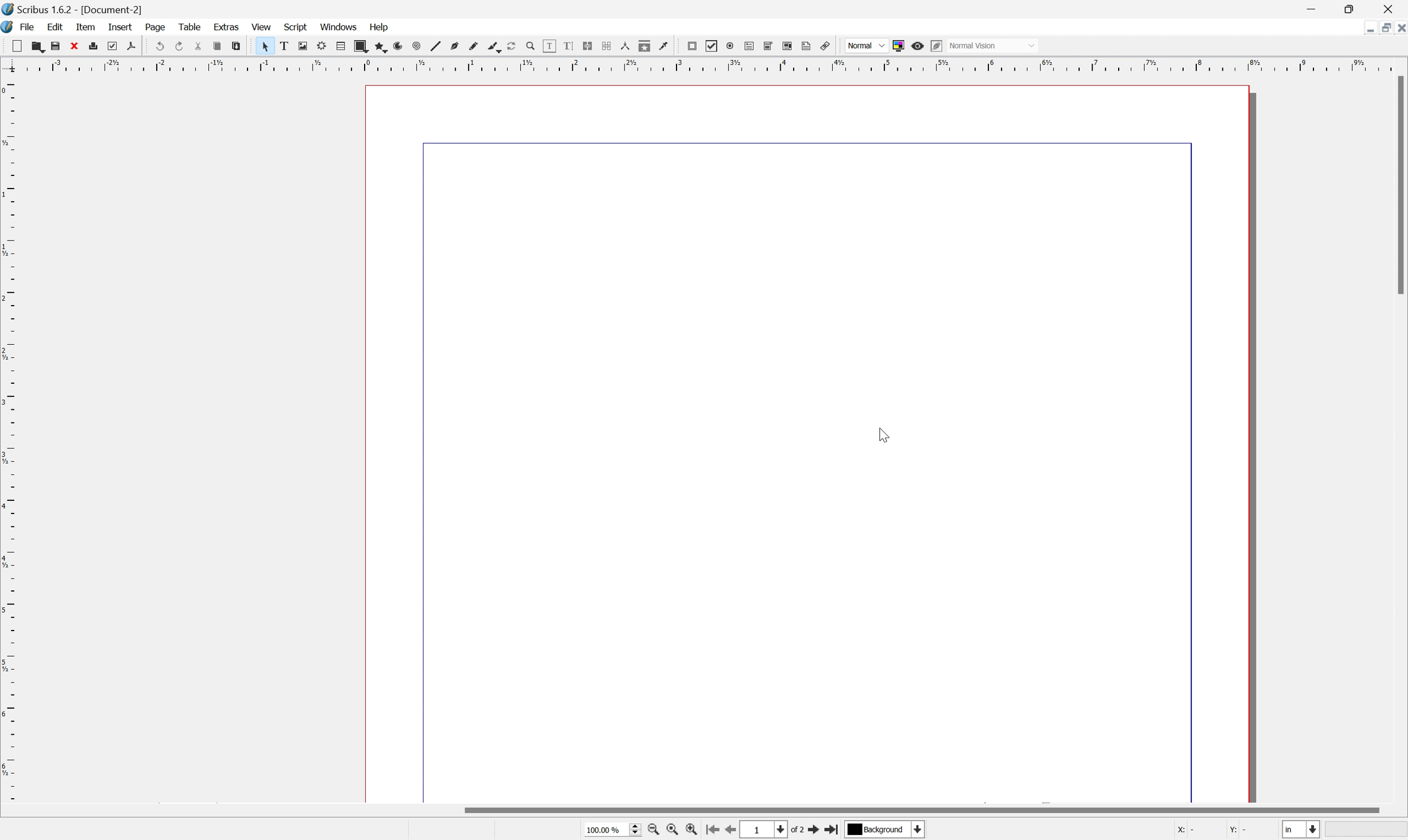 This screenshot has height=840, width=1408. Describe the element at coordinates (997, 46) in the screenshot. I see `Normal vision` at that location.